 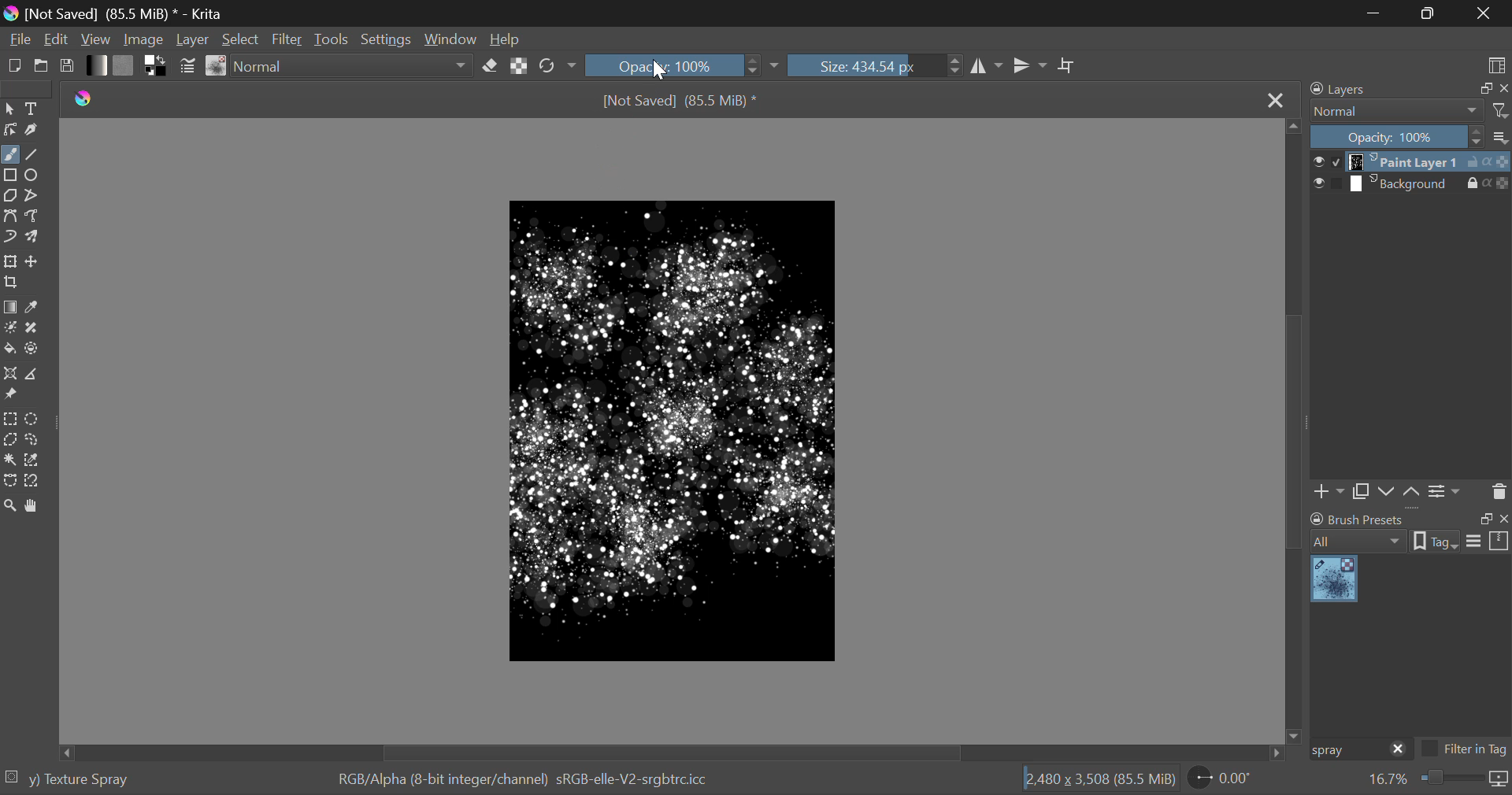 I want to click on Polygon Selection, so click(x=10, y=438).